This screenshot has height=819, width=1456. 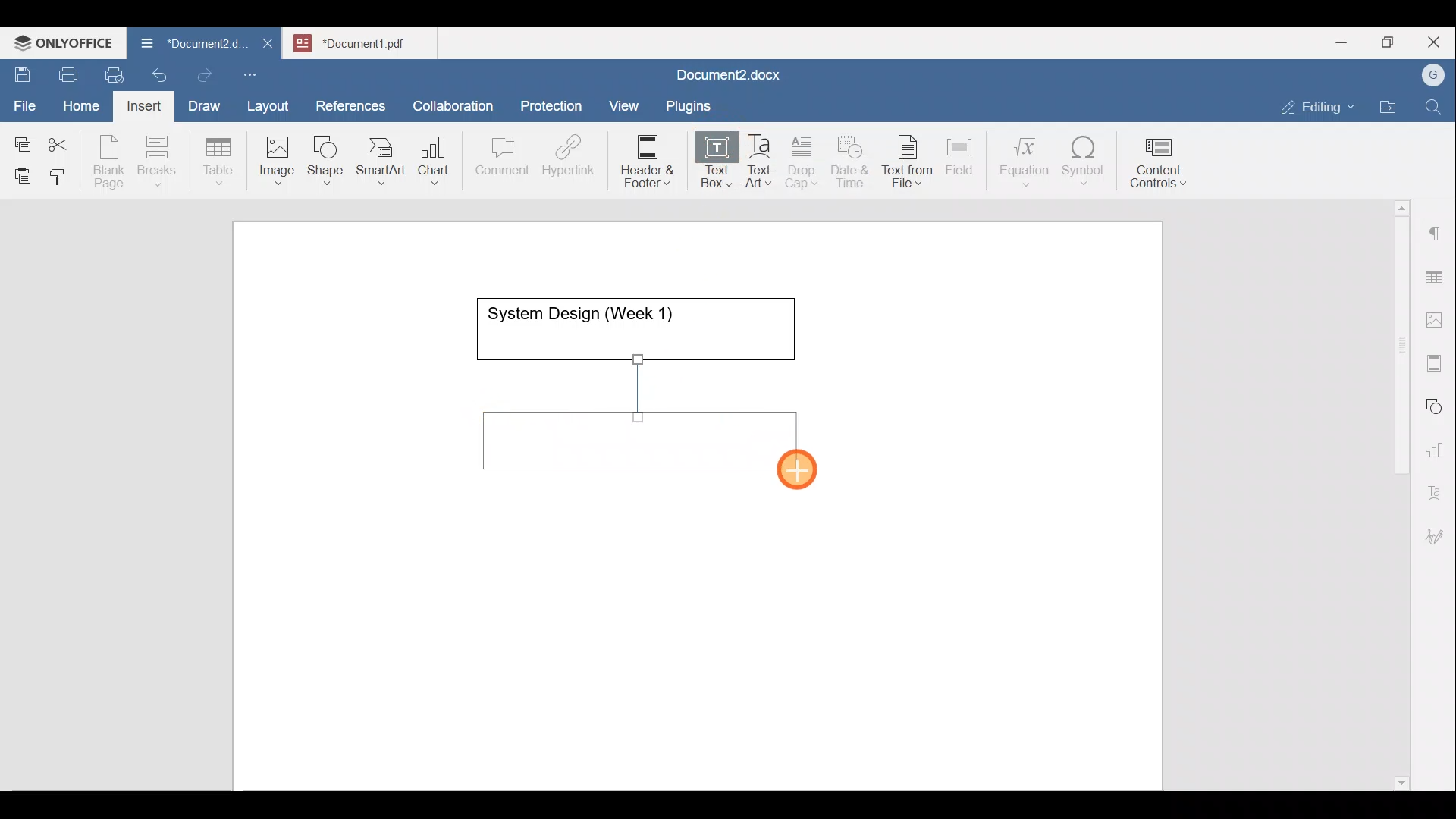 What do you see at coordinates (1437, 359) in the screenshot?
I see `Headers & footers` at bounding box center [1437, 359].